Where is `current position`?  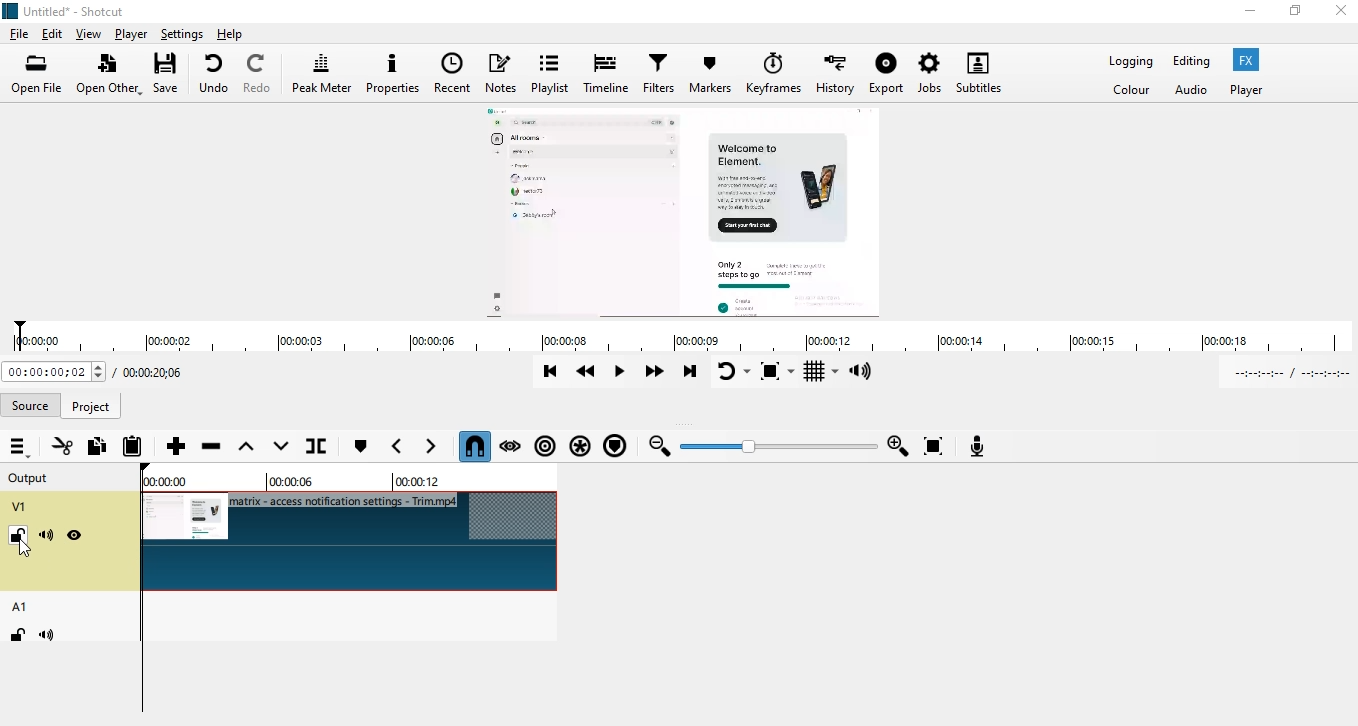
current position is located at coordinates (53, 373).